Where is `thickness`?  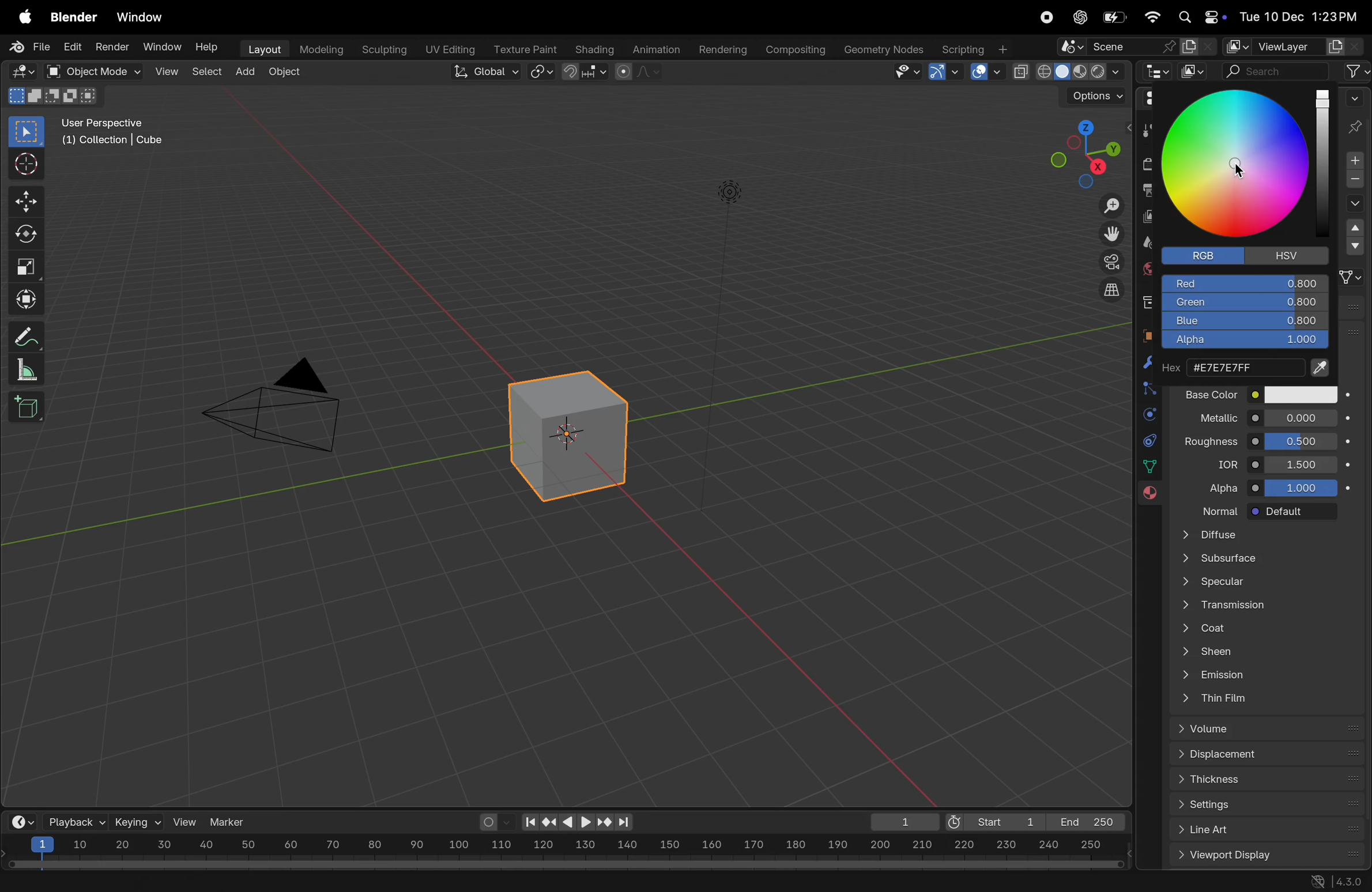 thickness is located at coordinates (1269, 782).